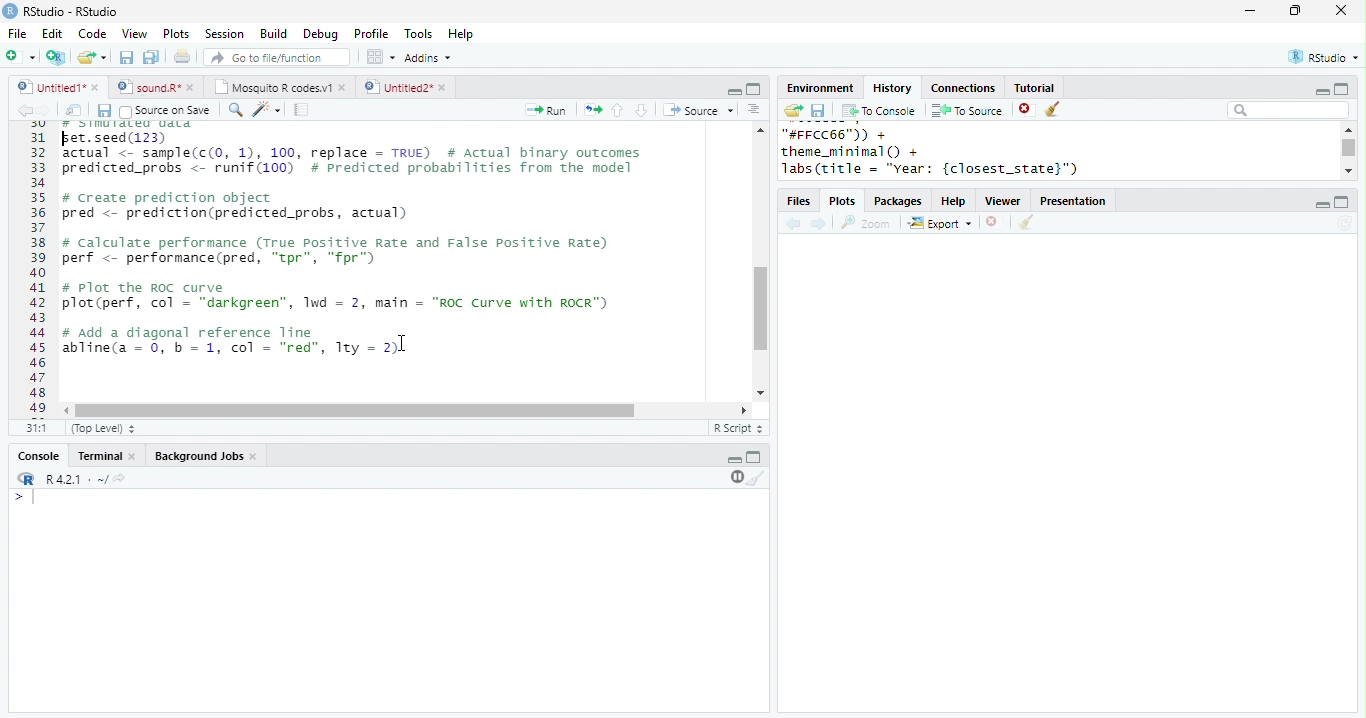  What do you see at coordinates (75, 12) in the screenshot?
I see `RStudio-RStudio` at bounding box center [75, 12].